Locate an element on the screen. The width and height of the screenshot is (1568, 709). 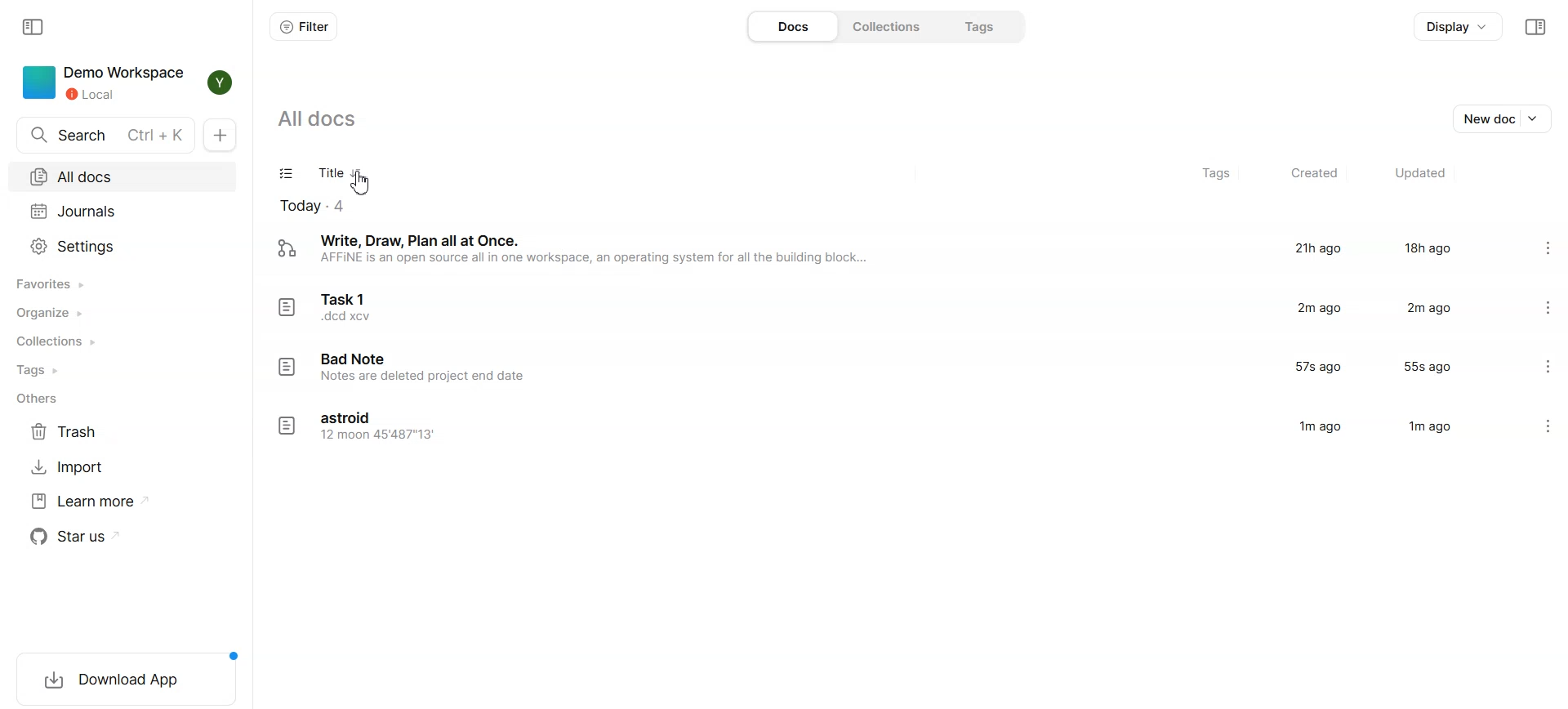
logo is located at coordinates (288, 426).